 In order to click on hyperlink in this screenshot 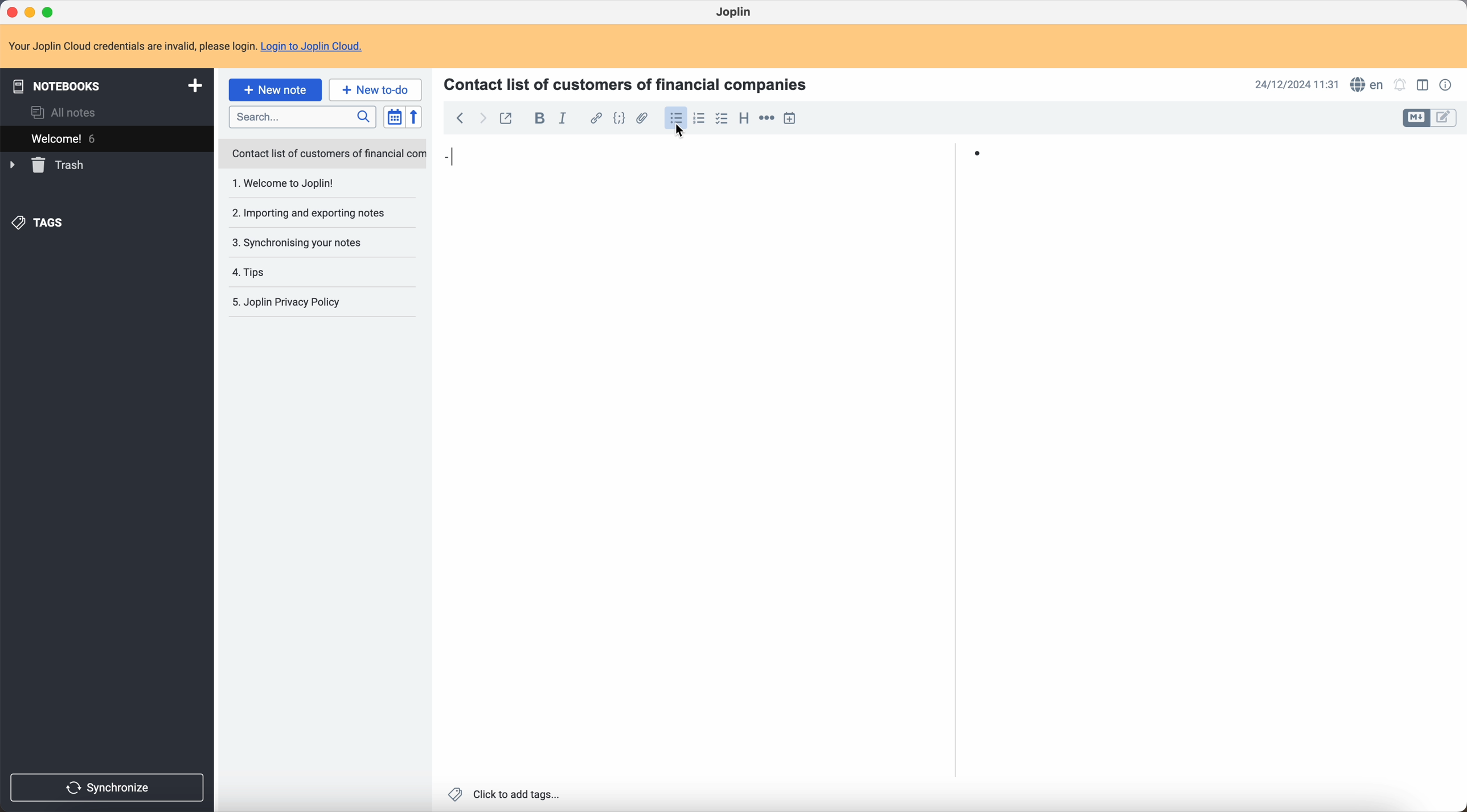, I will do `click(595, 118)`.